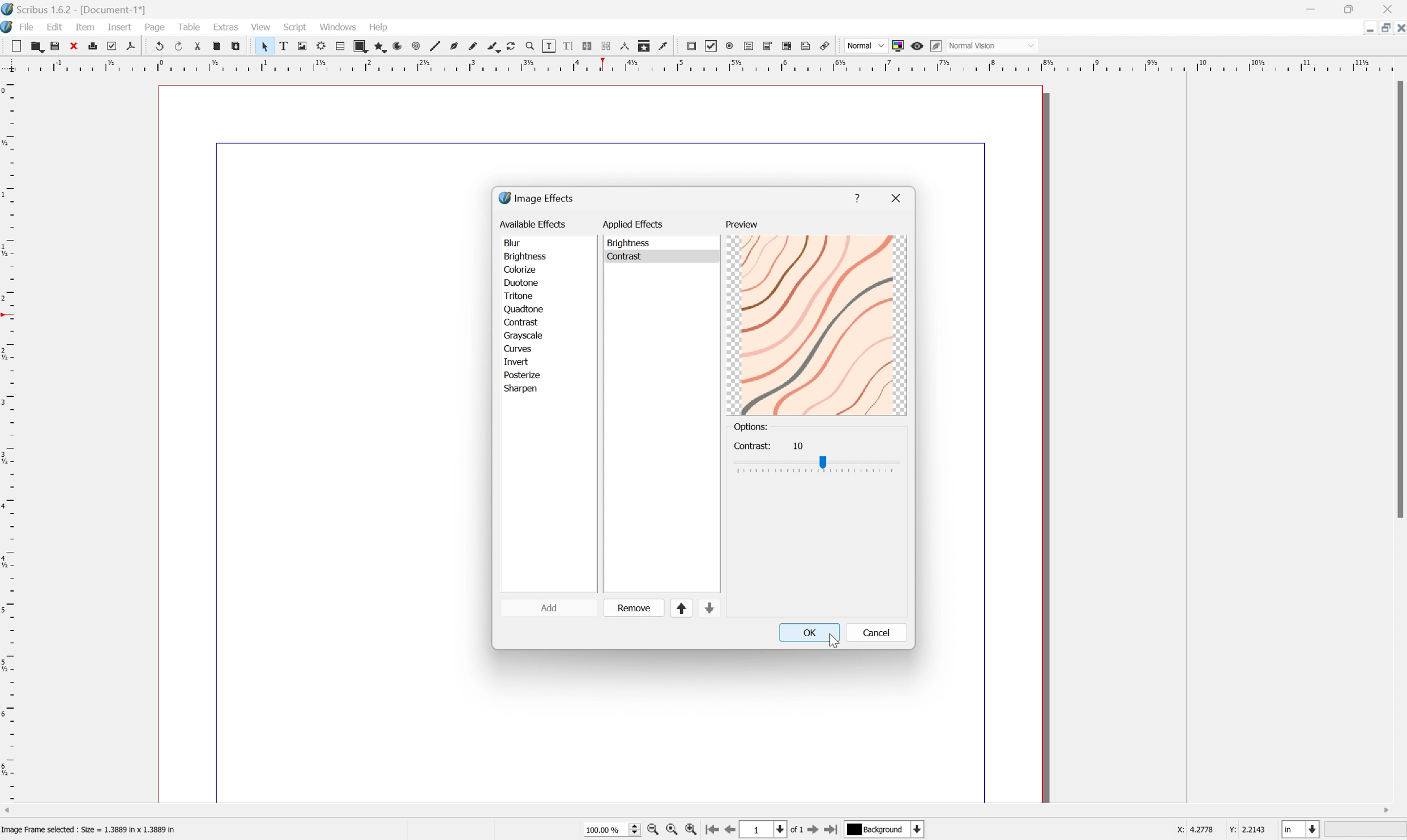 Image resolution: width=1407 pixels, height=840 pixels. Describe the element at coordinates (712, 47) in the screenshot. I see `PDF checkbox` at that location.